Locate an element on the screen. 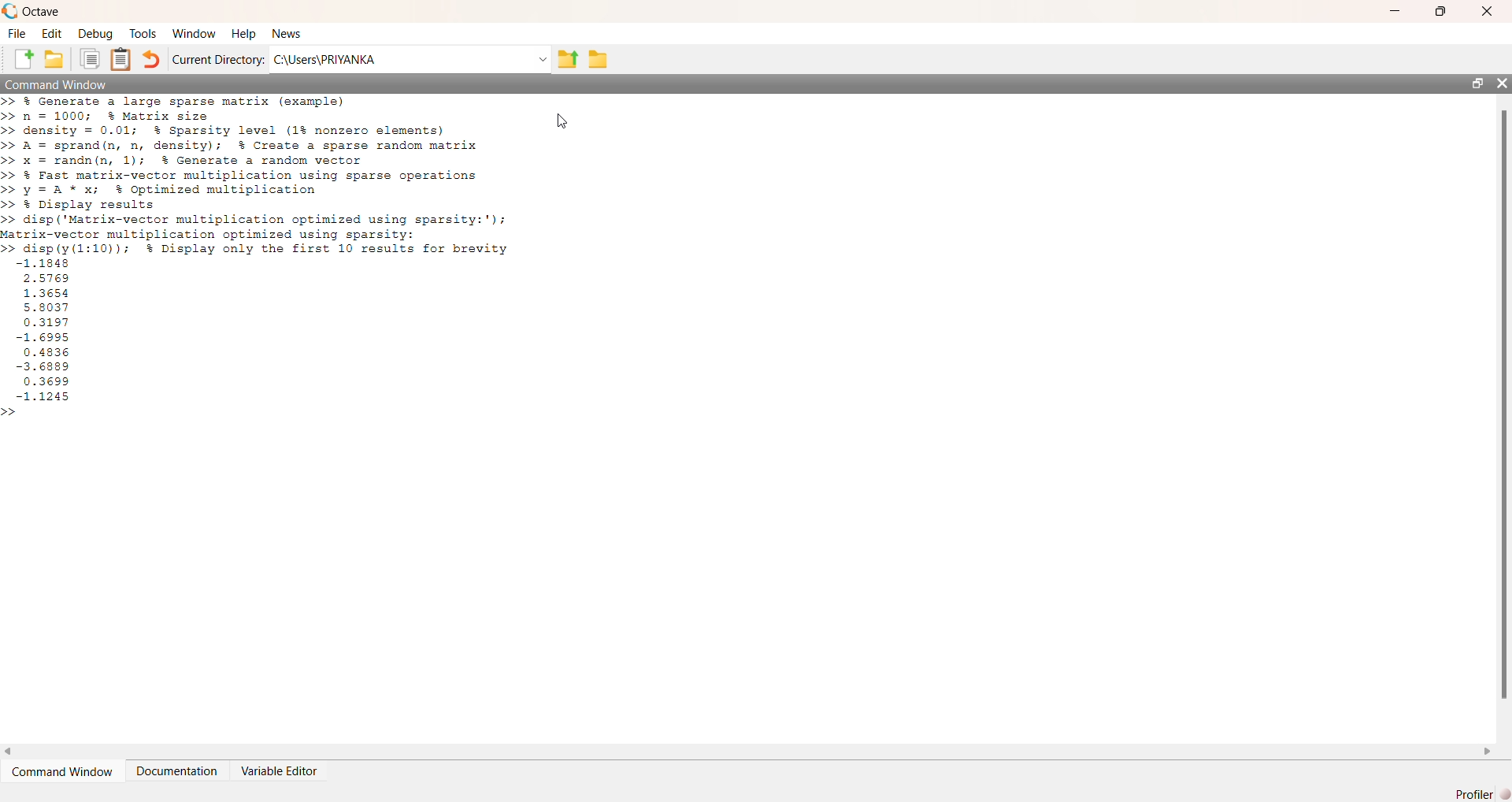 This screenshot has height=802, width=1512. help is located at coordinates (243, 33).